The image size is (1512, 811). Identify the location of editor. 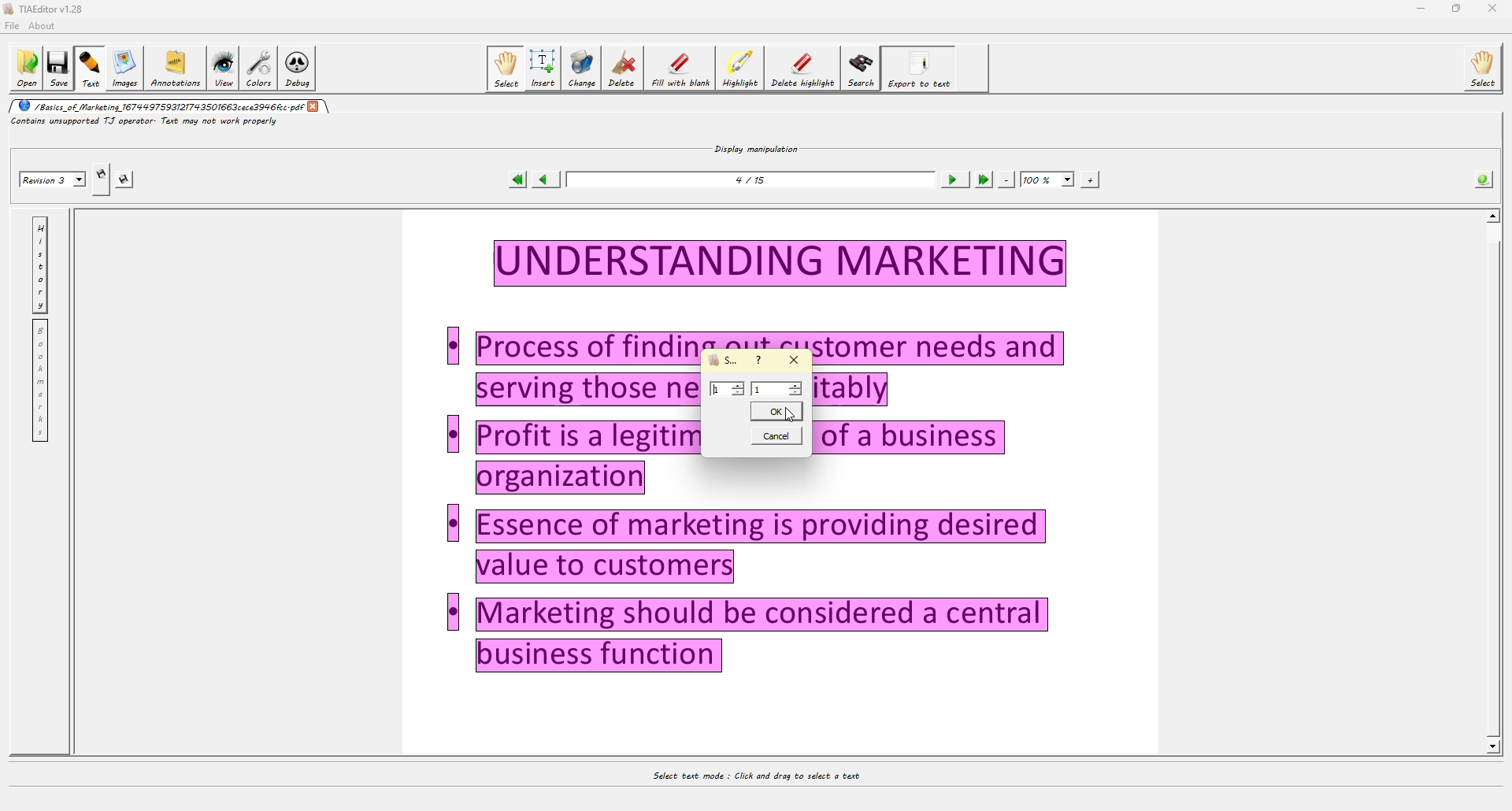
(46, 9).